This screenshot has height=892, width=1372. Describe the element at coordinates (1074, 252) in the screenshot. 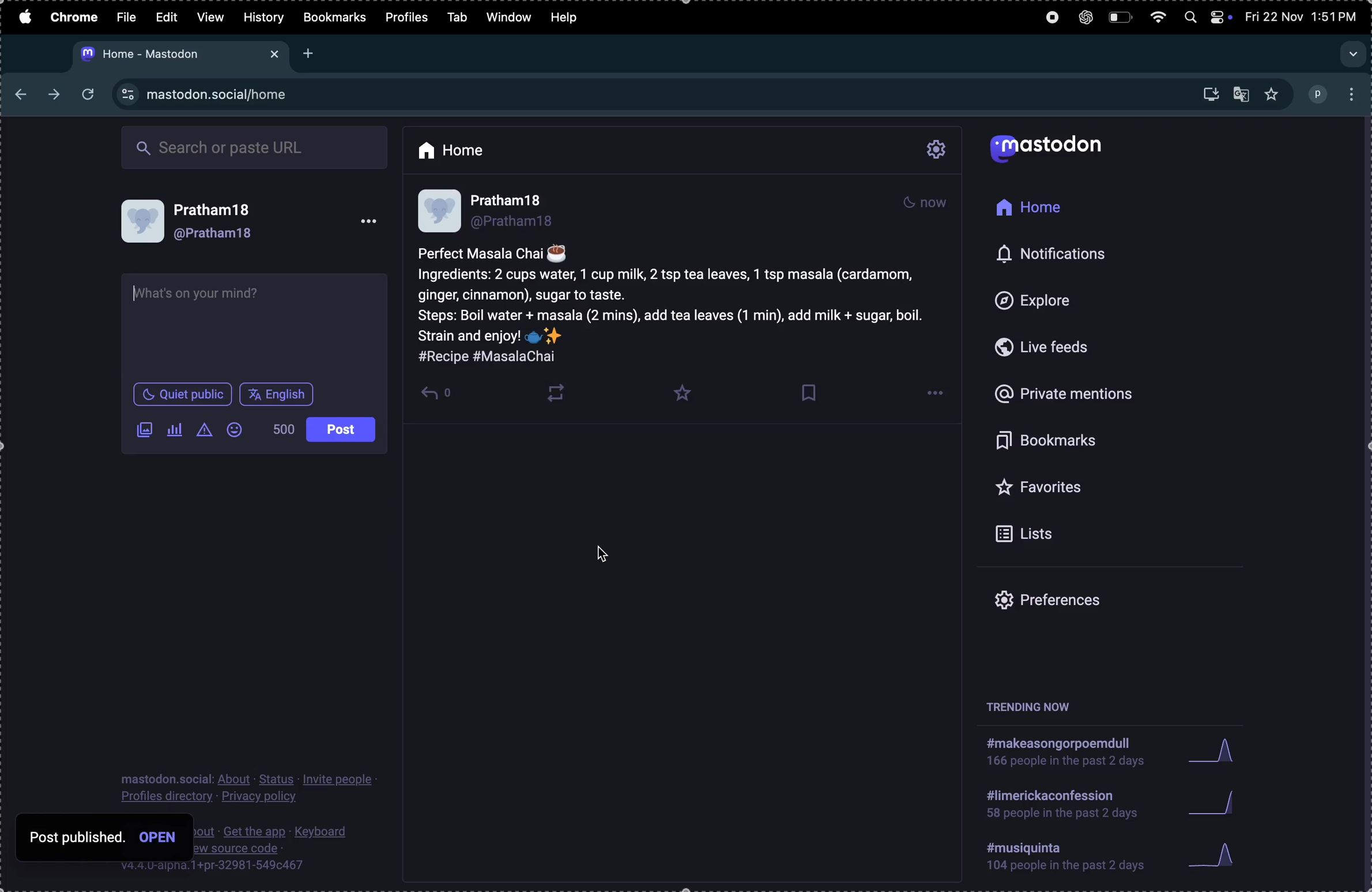

I see `notifications` at that location.